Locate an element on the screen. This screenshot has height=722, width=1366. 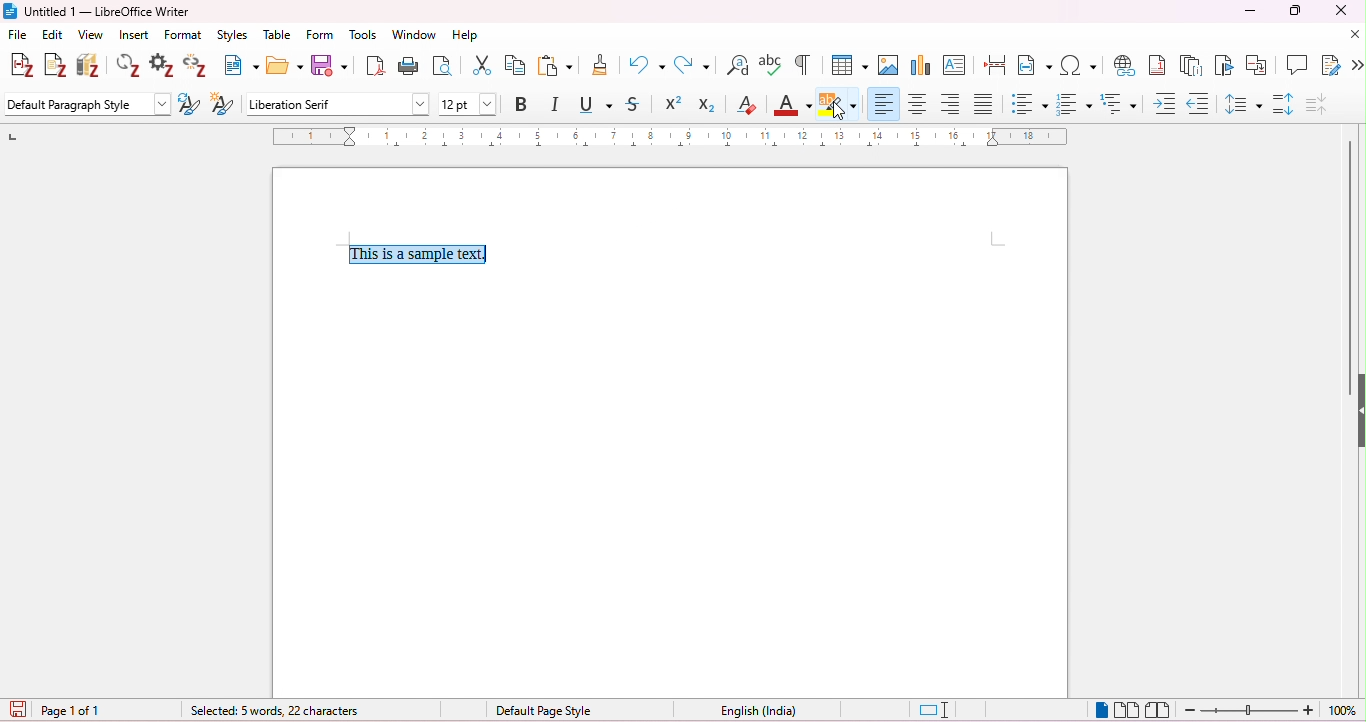
insert cross reference is located at coordinates (1258, 64).